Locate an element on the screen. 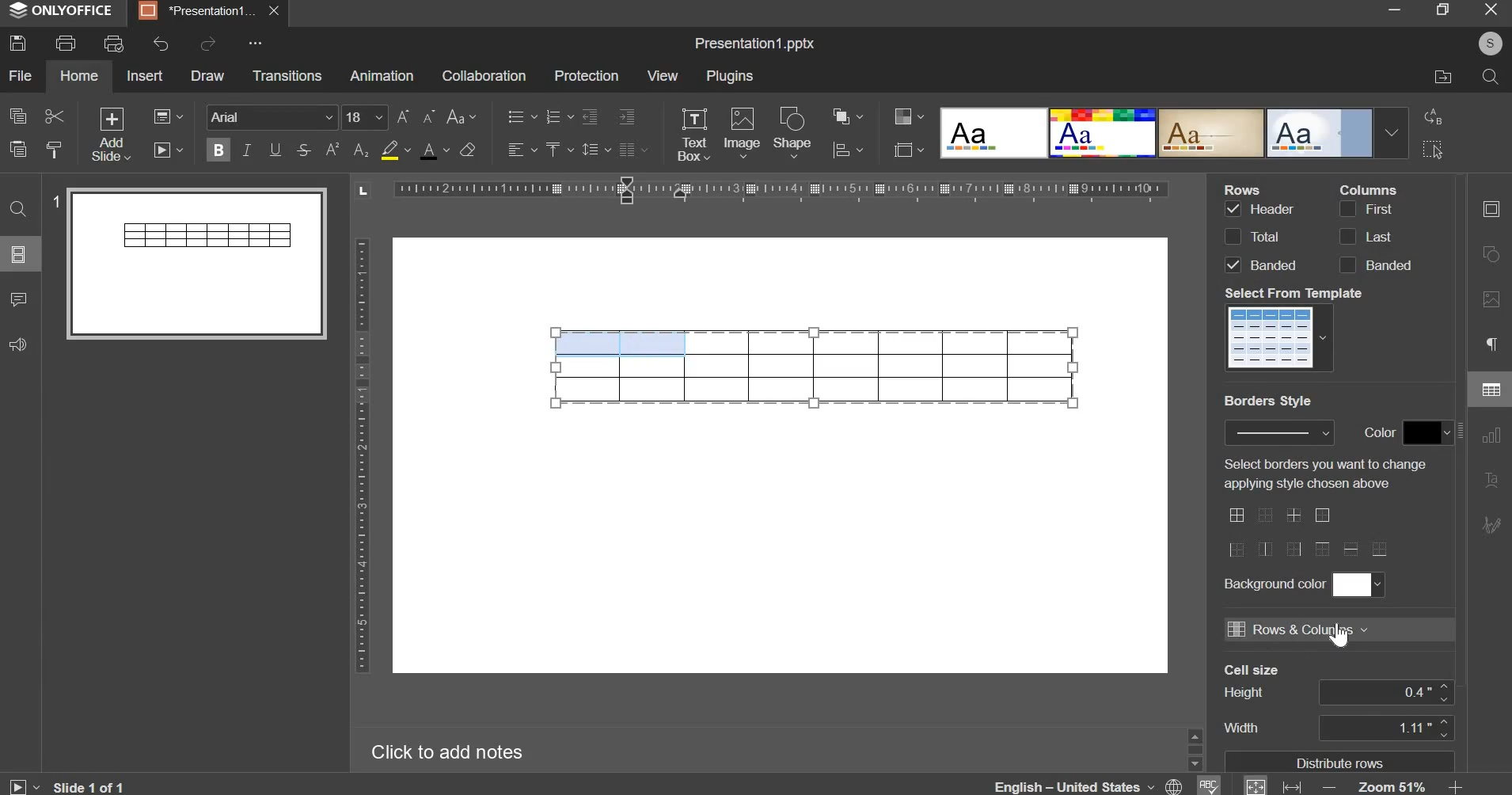 The width and height of the screenshot is (1512, 795). Presentation tab is located at coordinates (207, 11).